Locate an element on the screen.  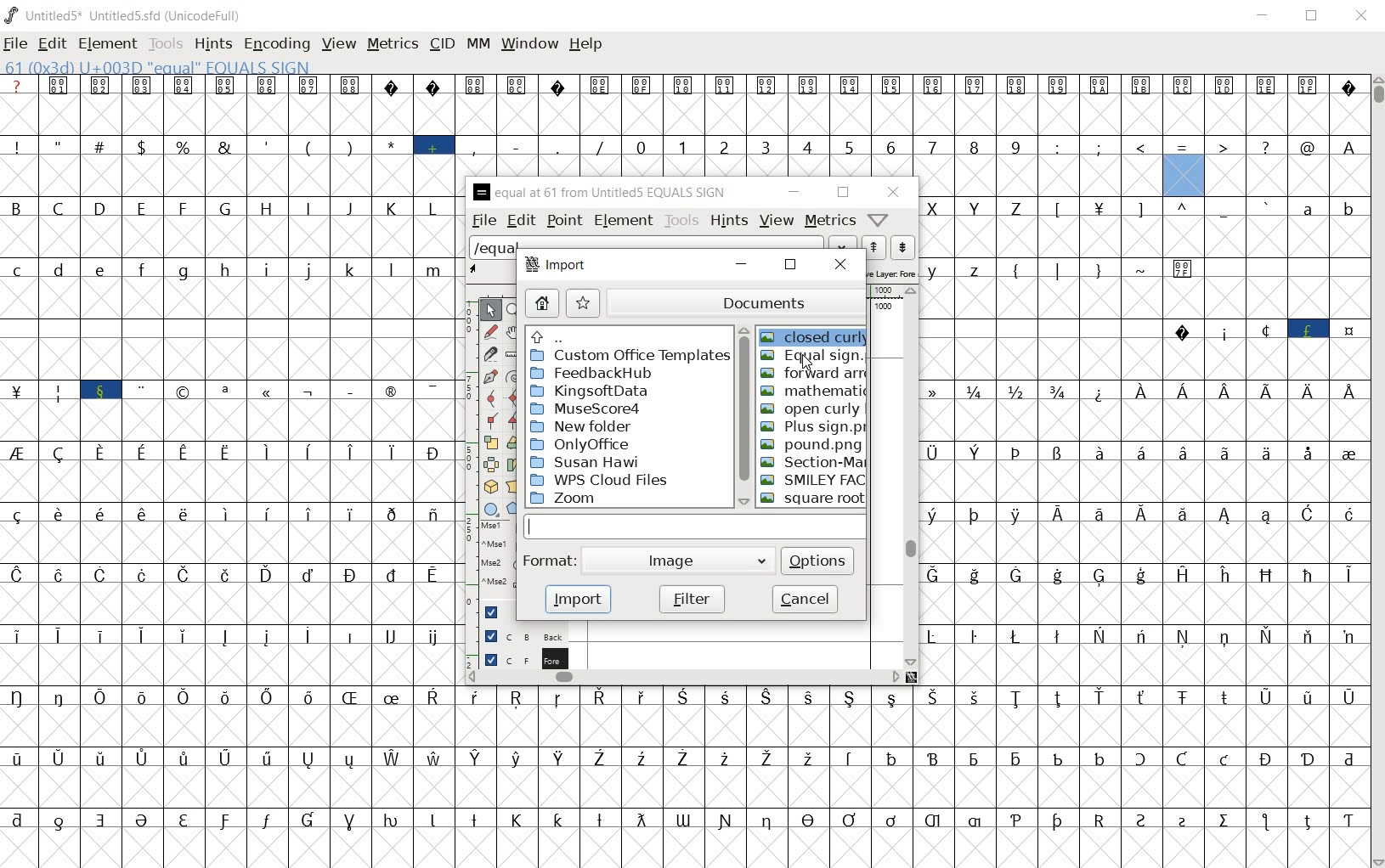
edit is located at coordinates (520, 221).